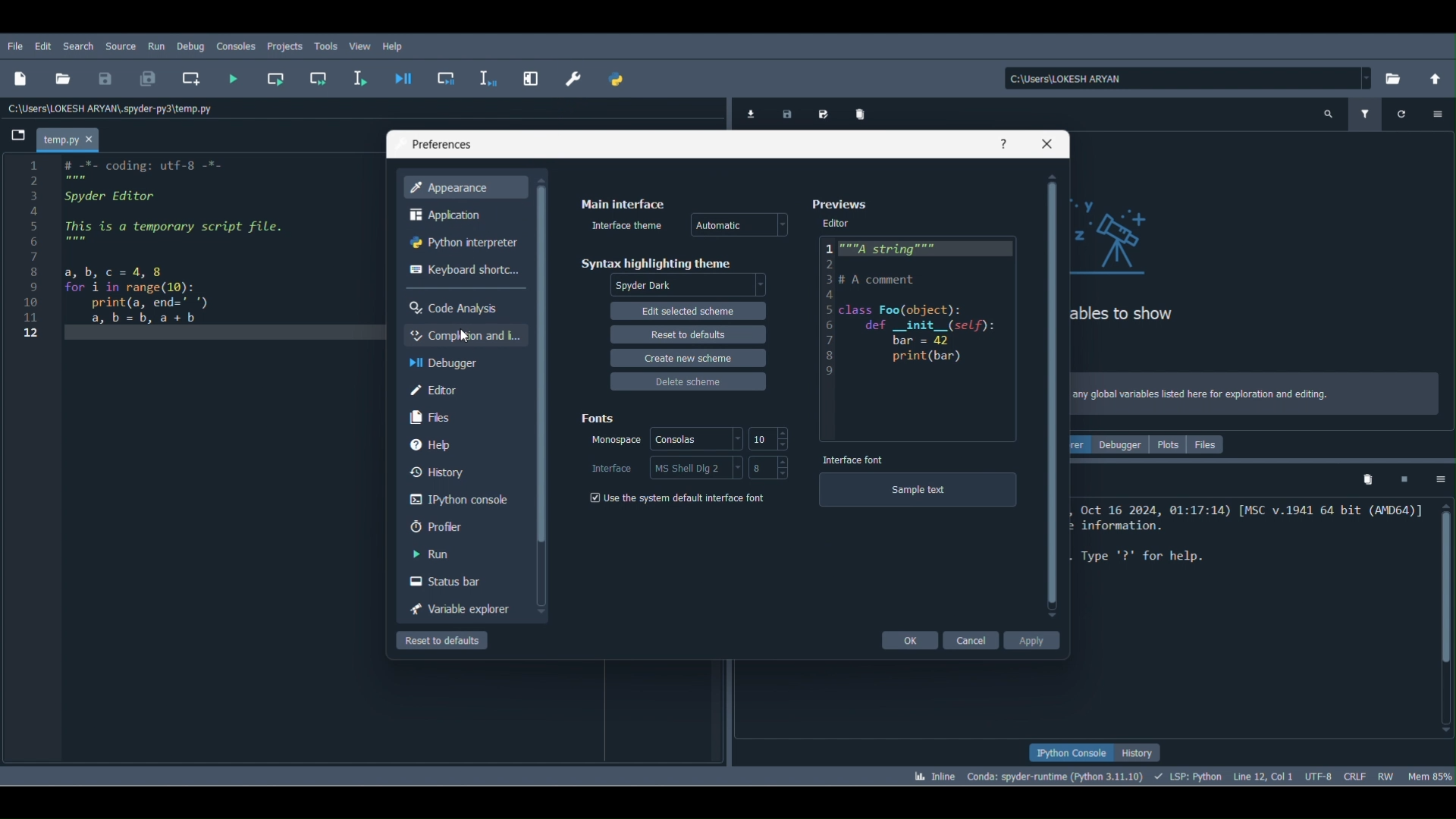 This screenshot has height=819, width=1456. Describe the element at coordinates (62, 79) in the screenshot. I see `Open file ( Ctrl + O)` at that location.